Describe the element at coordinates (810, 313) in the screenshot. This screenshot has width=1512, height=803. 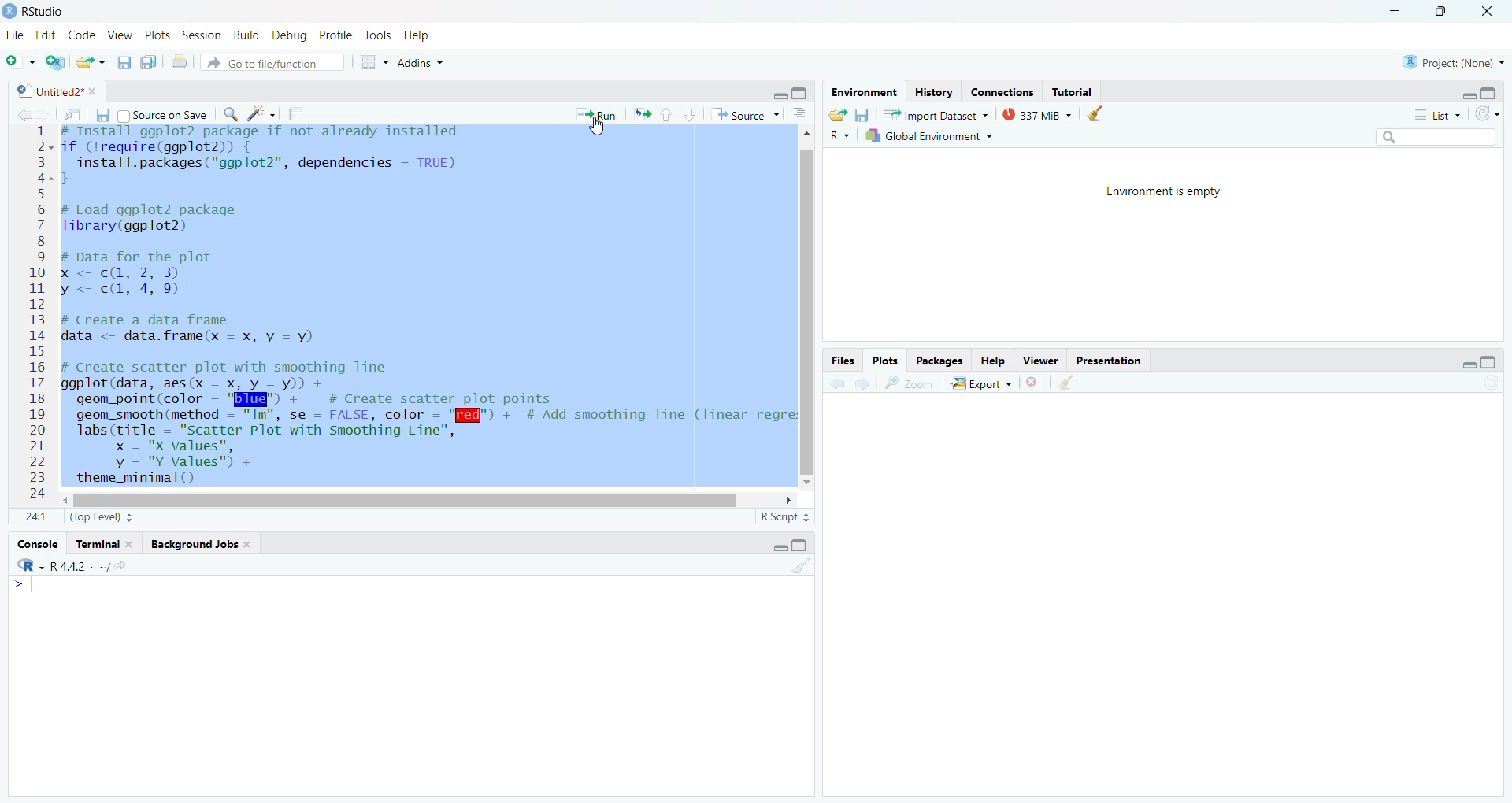
I see `vertical scroll bar` at that location.